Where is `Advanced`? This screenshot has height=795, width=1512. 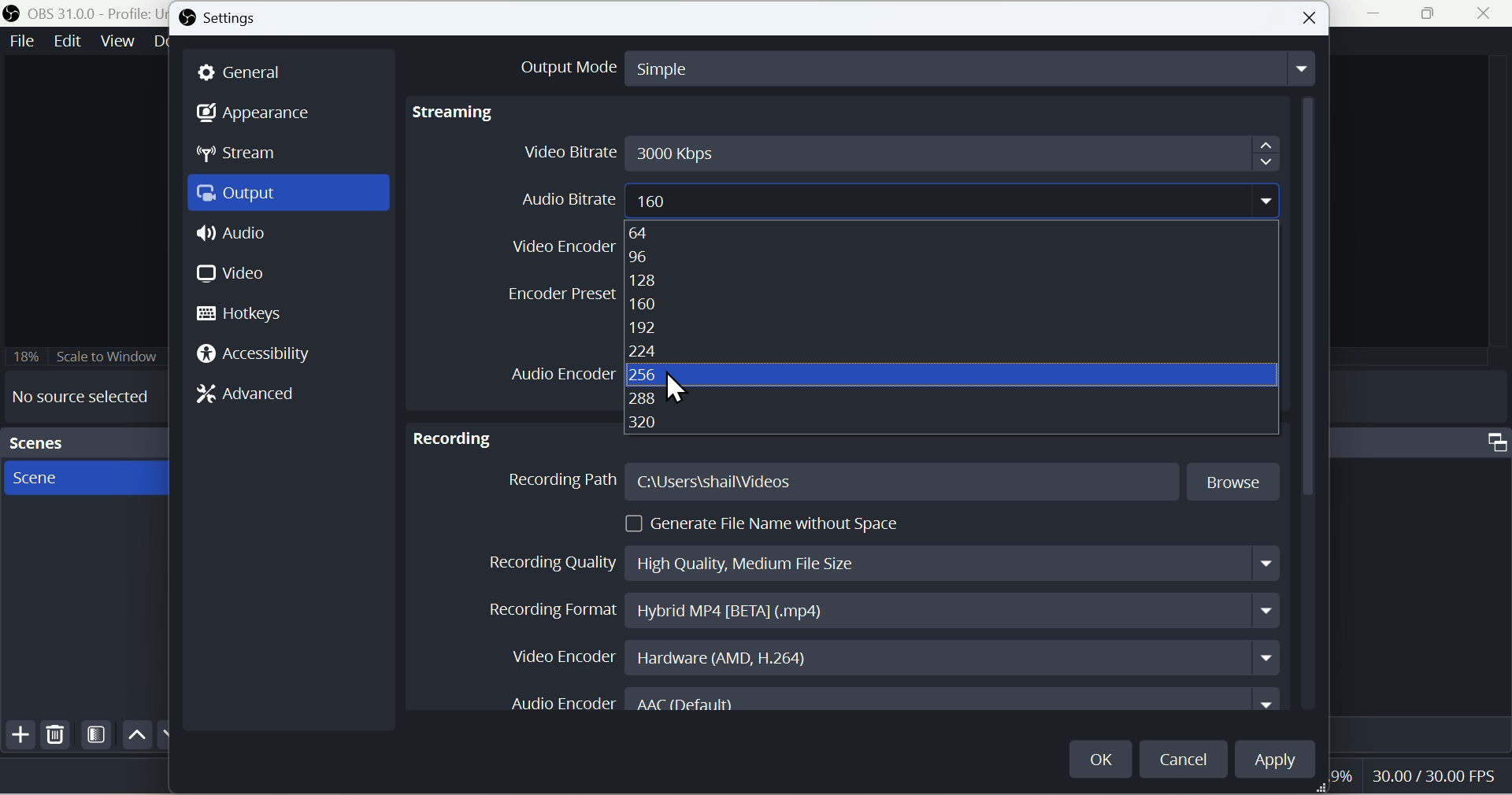
Advanced is located at coordinates (258, 397).